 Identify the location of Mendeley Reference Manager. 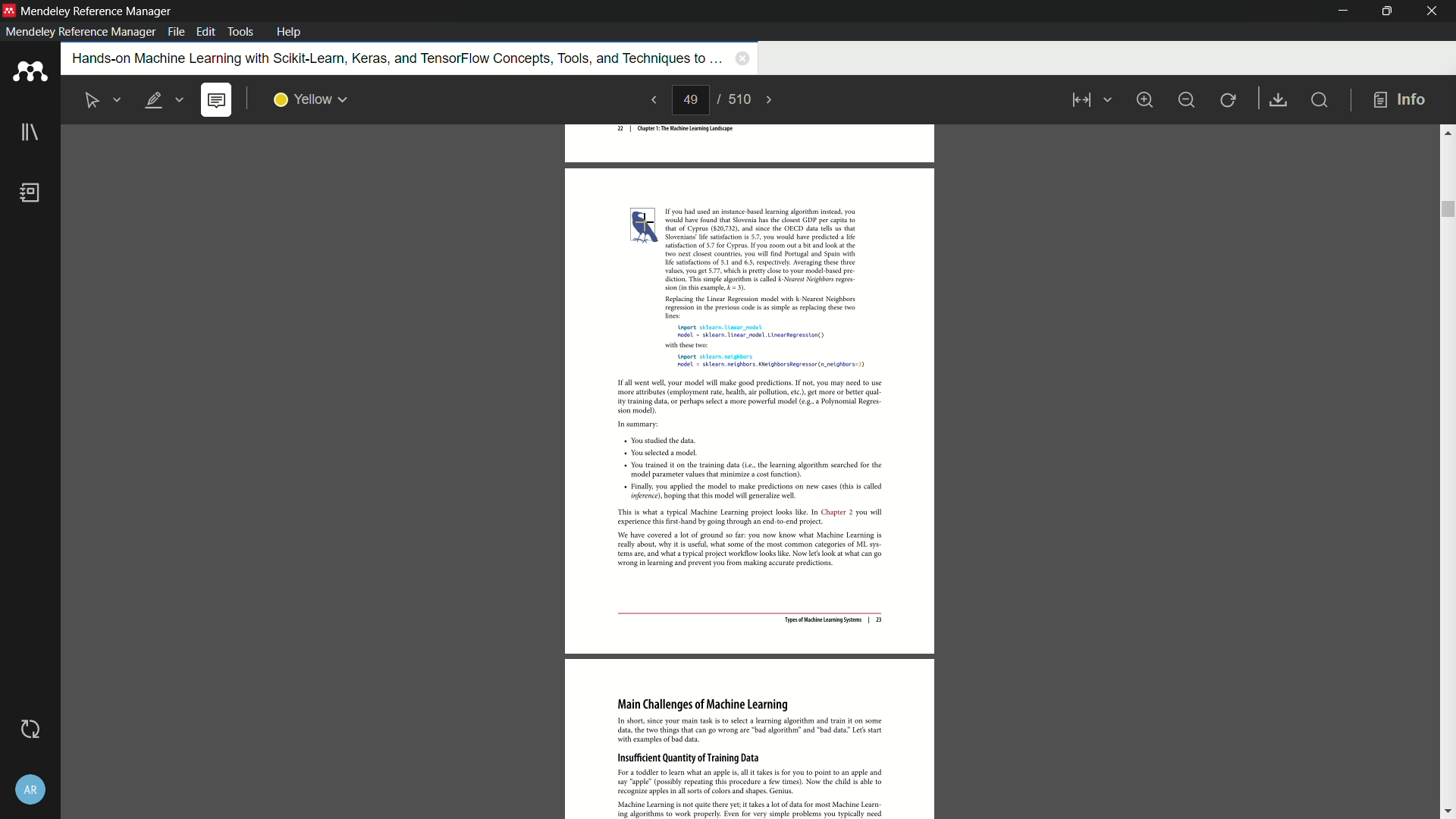
(97, 11).